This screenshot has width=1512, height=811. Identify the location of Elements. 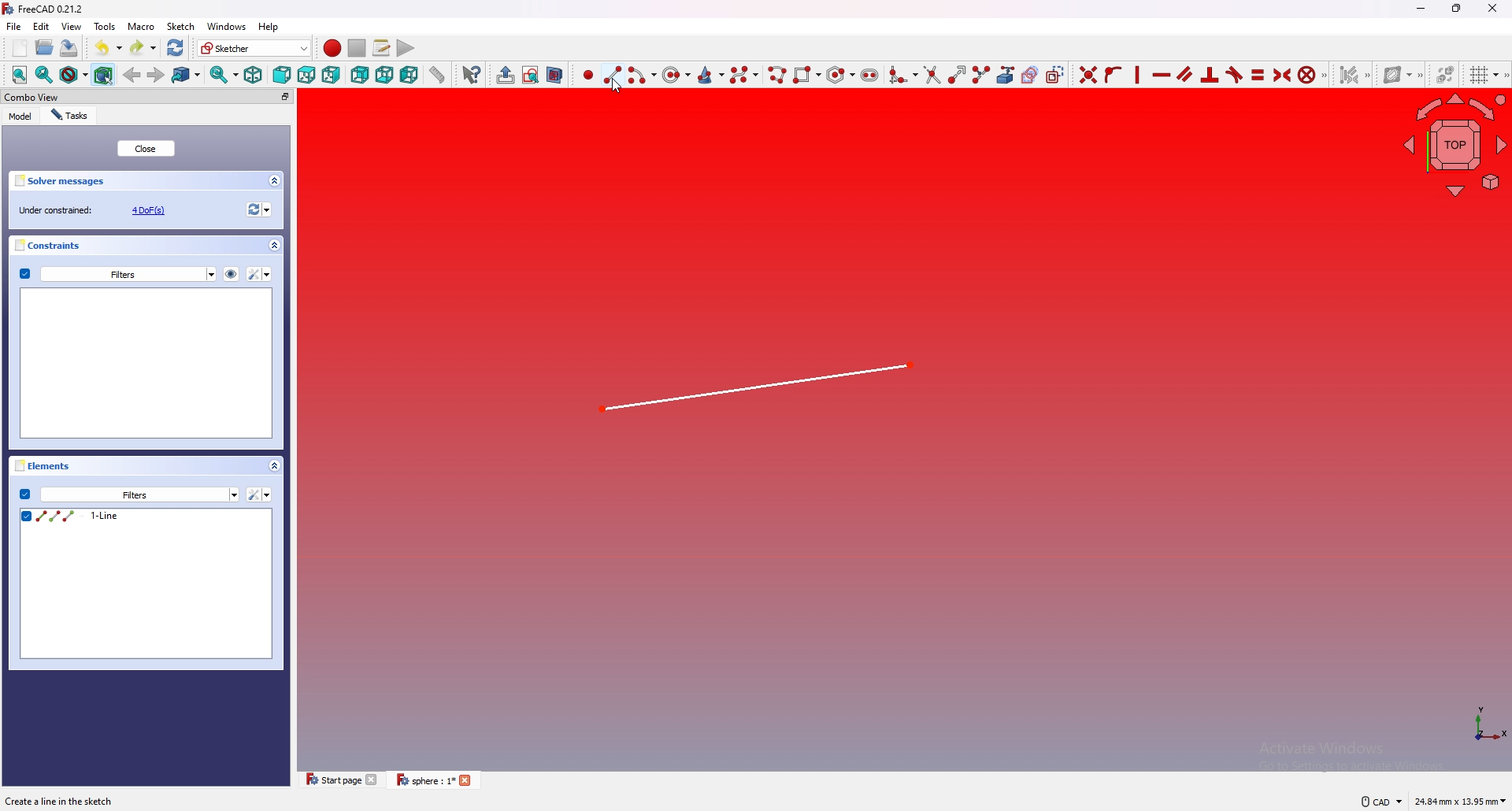
(151, 468).